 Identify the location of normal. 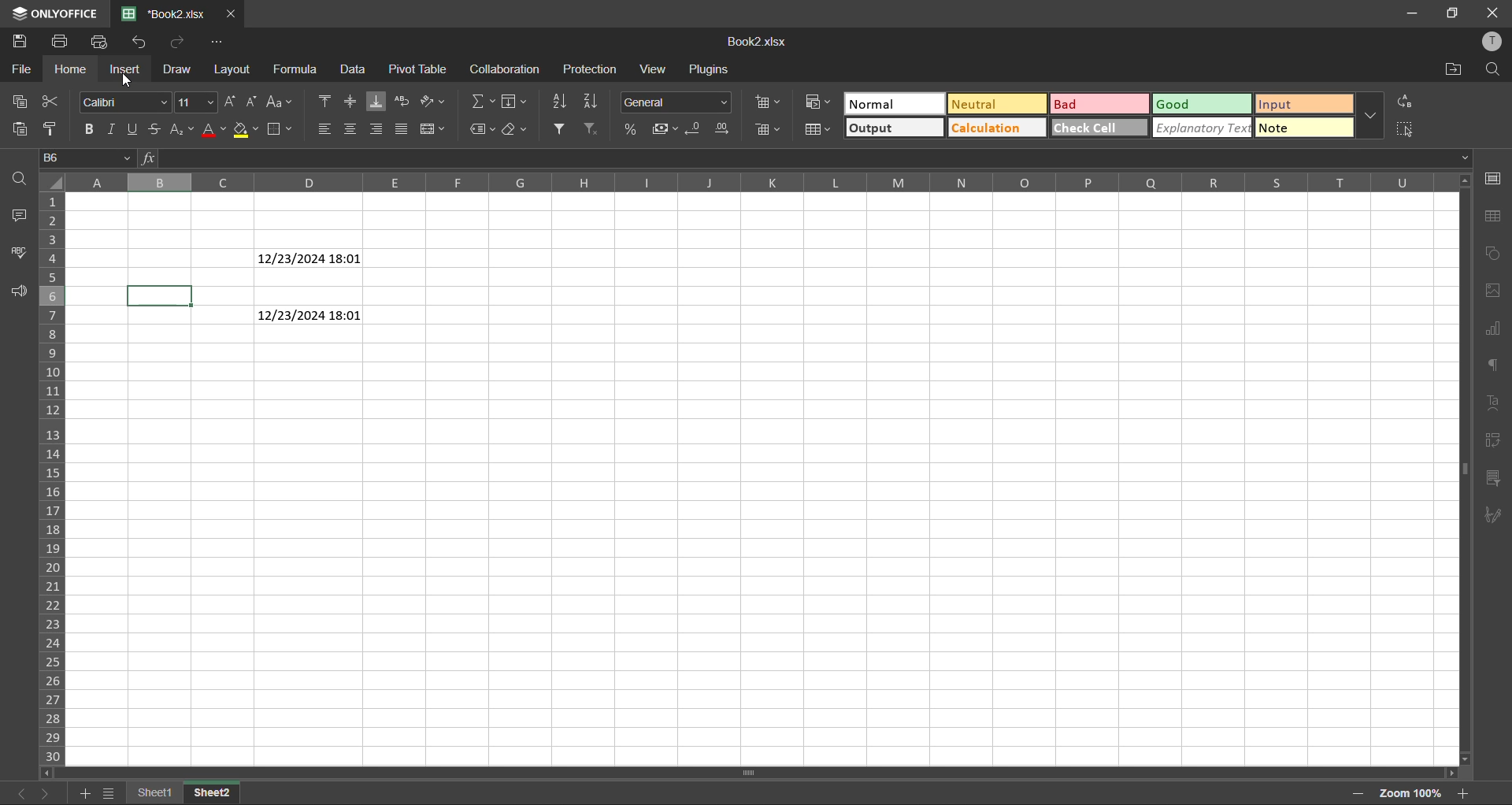
(895, 102).